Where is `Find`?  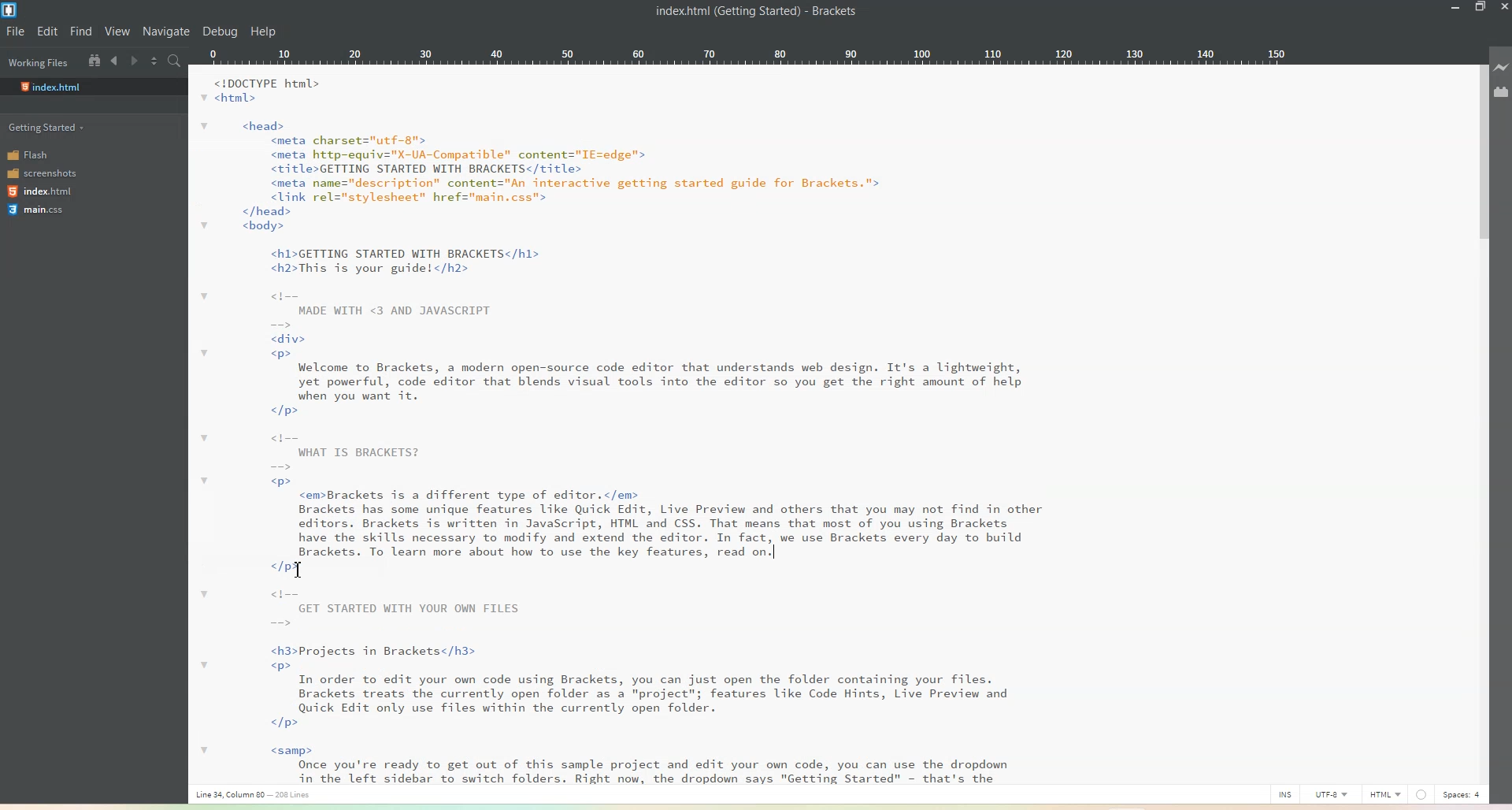 Find is located at coordinates (81, 32).